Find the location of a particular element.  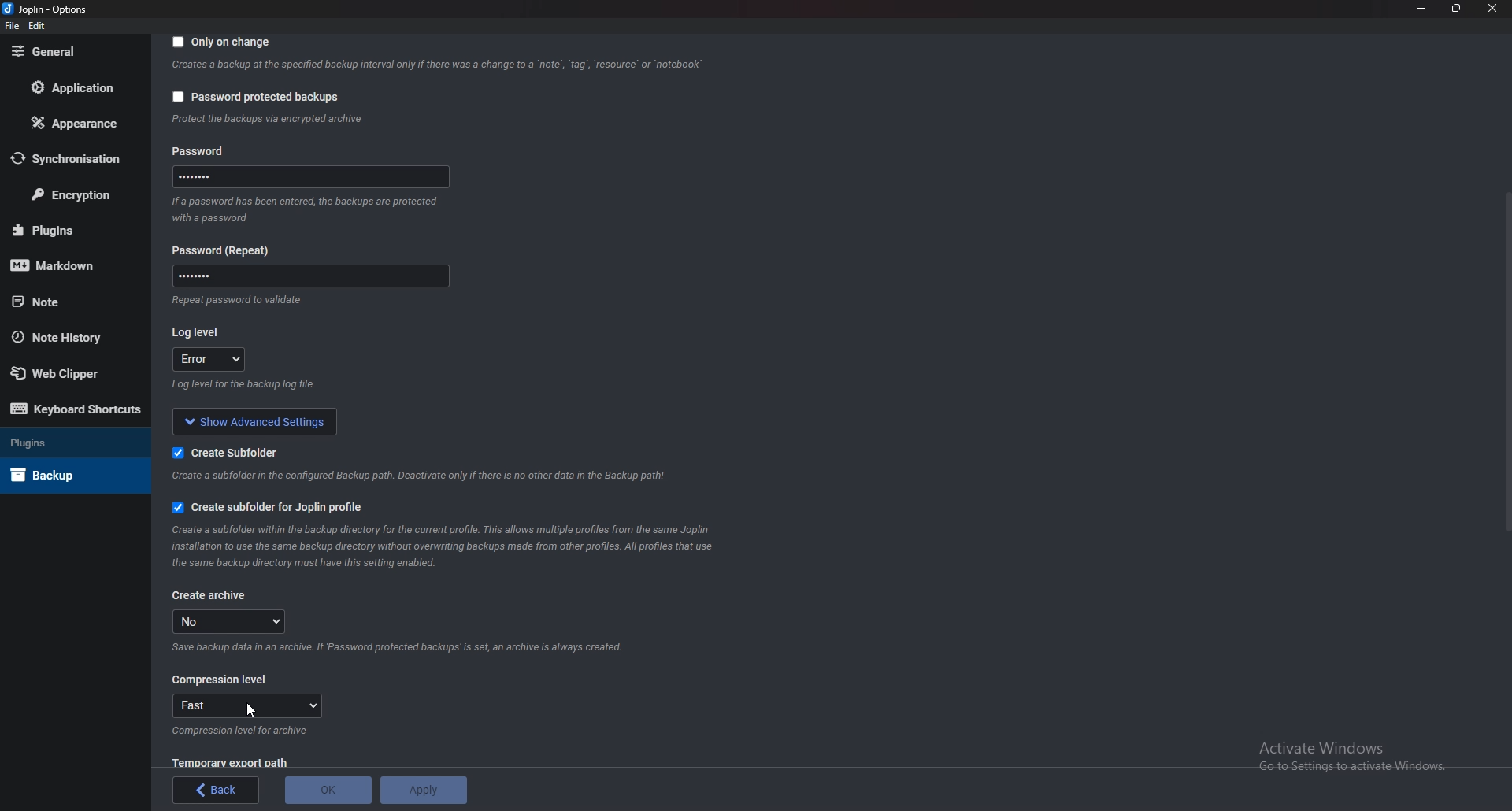

O K is located at coordinates (328, 791).